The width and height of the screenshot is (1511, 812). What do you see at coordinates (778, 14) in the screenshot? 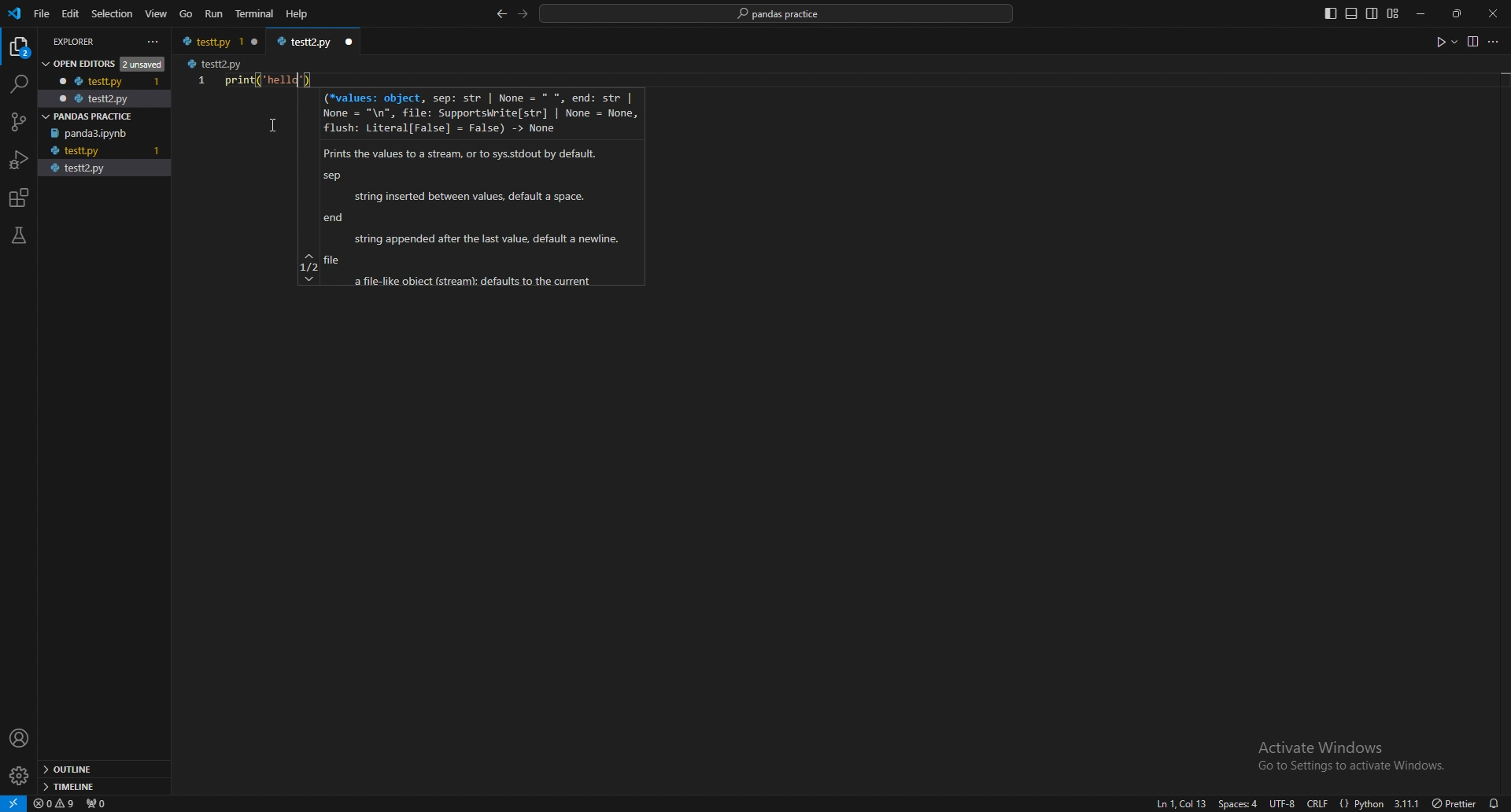
I see `pandas practice` at bounding box center [778, 14].